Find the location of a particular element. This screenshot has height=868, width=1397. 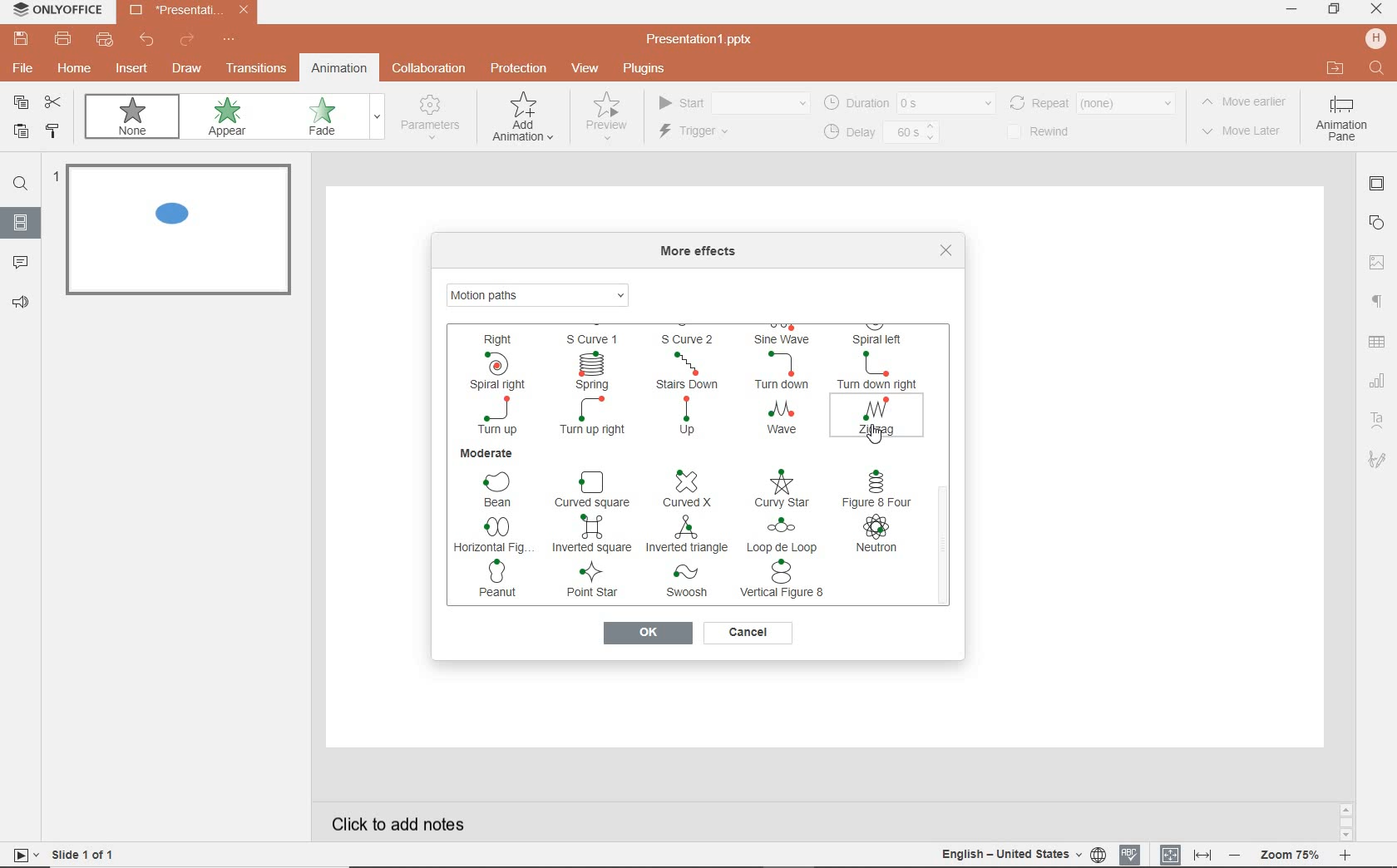

profile is located at coordinates (1374, 38).